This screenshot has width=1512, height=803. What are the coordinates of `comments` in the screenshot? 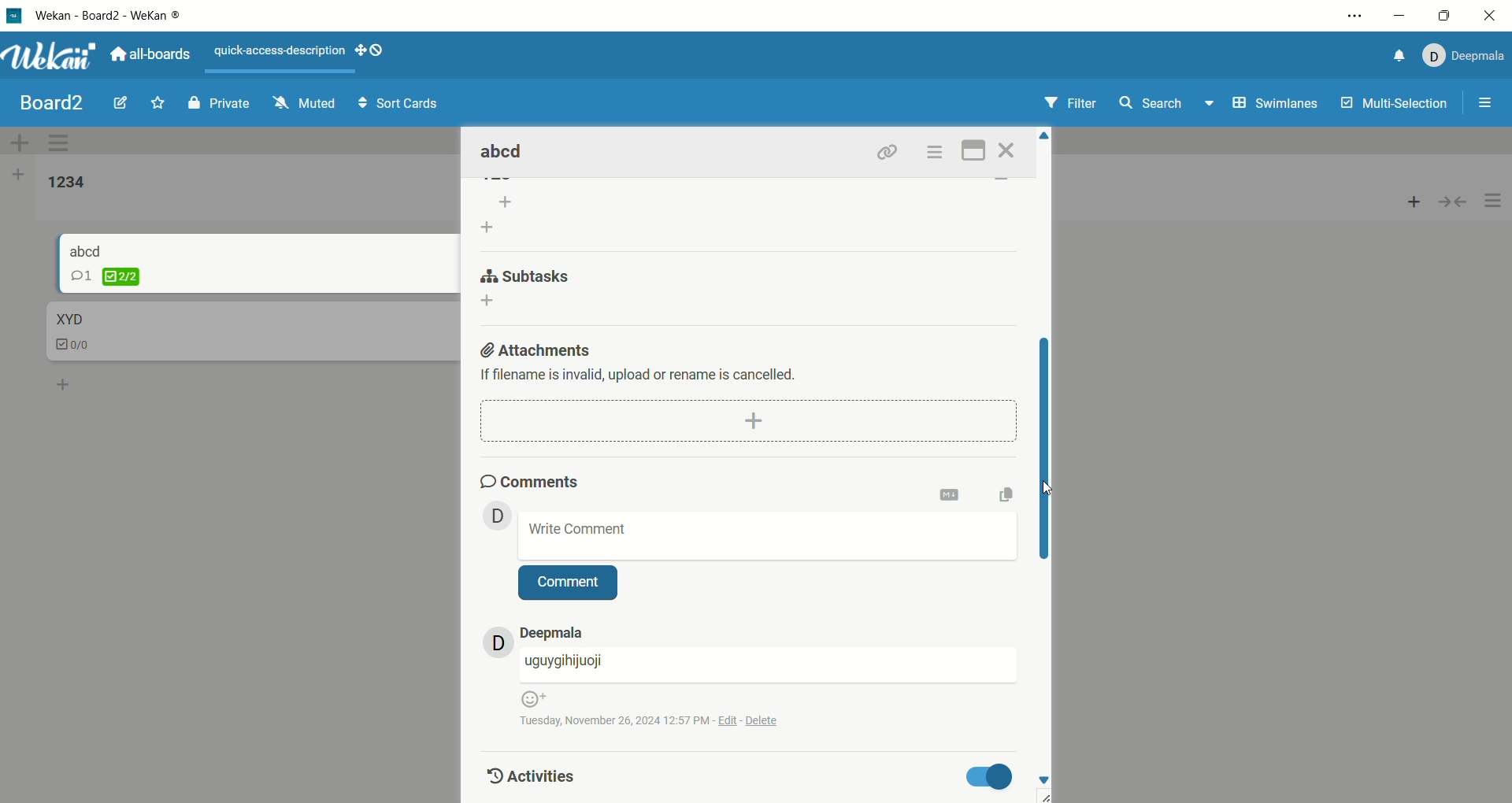 It's located at (532, 479).